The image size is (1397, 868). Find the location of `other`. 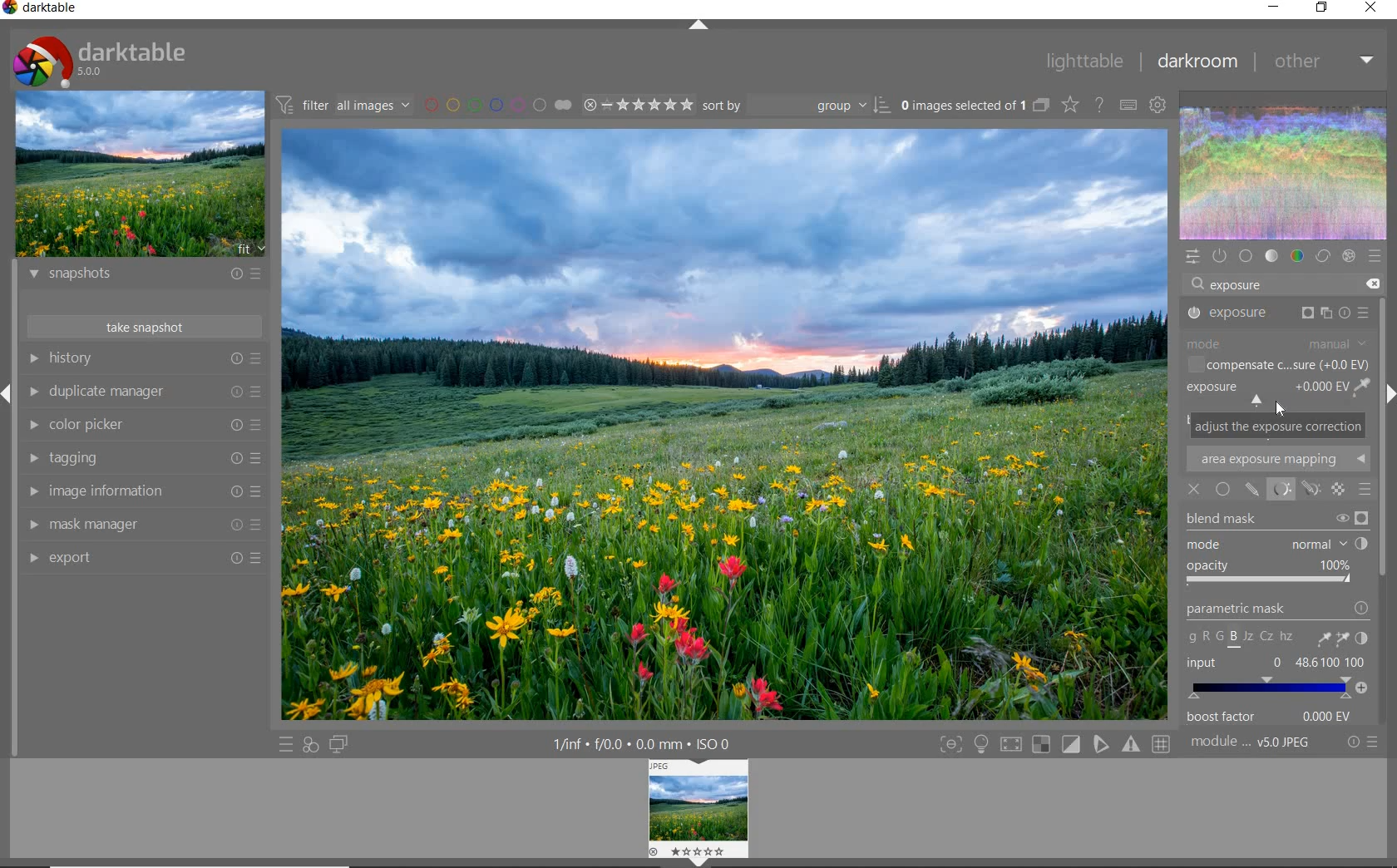

other is located at coordinates (1325, 63).